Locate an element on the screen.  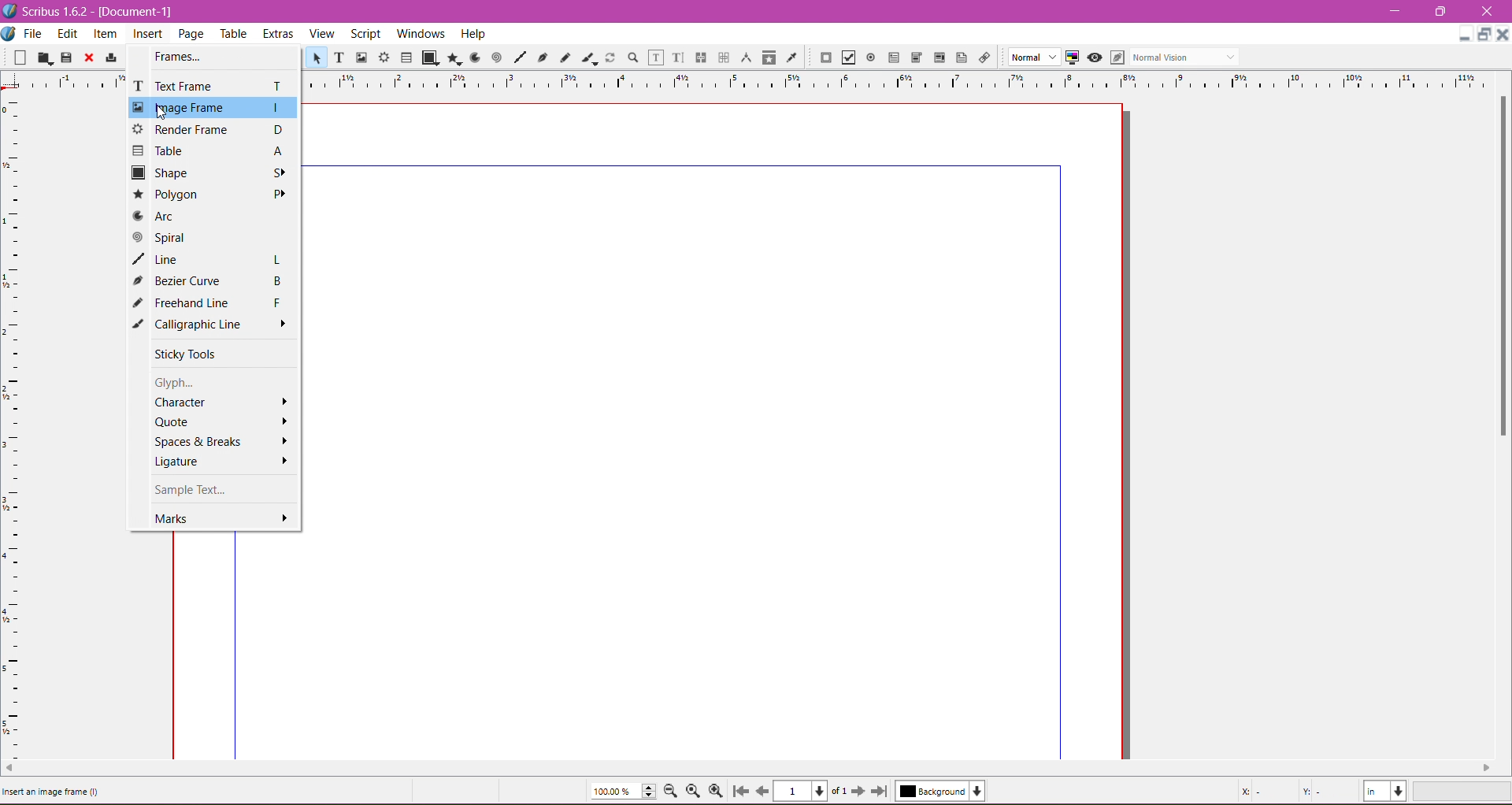
Item is located at coordinates (104, 35).